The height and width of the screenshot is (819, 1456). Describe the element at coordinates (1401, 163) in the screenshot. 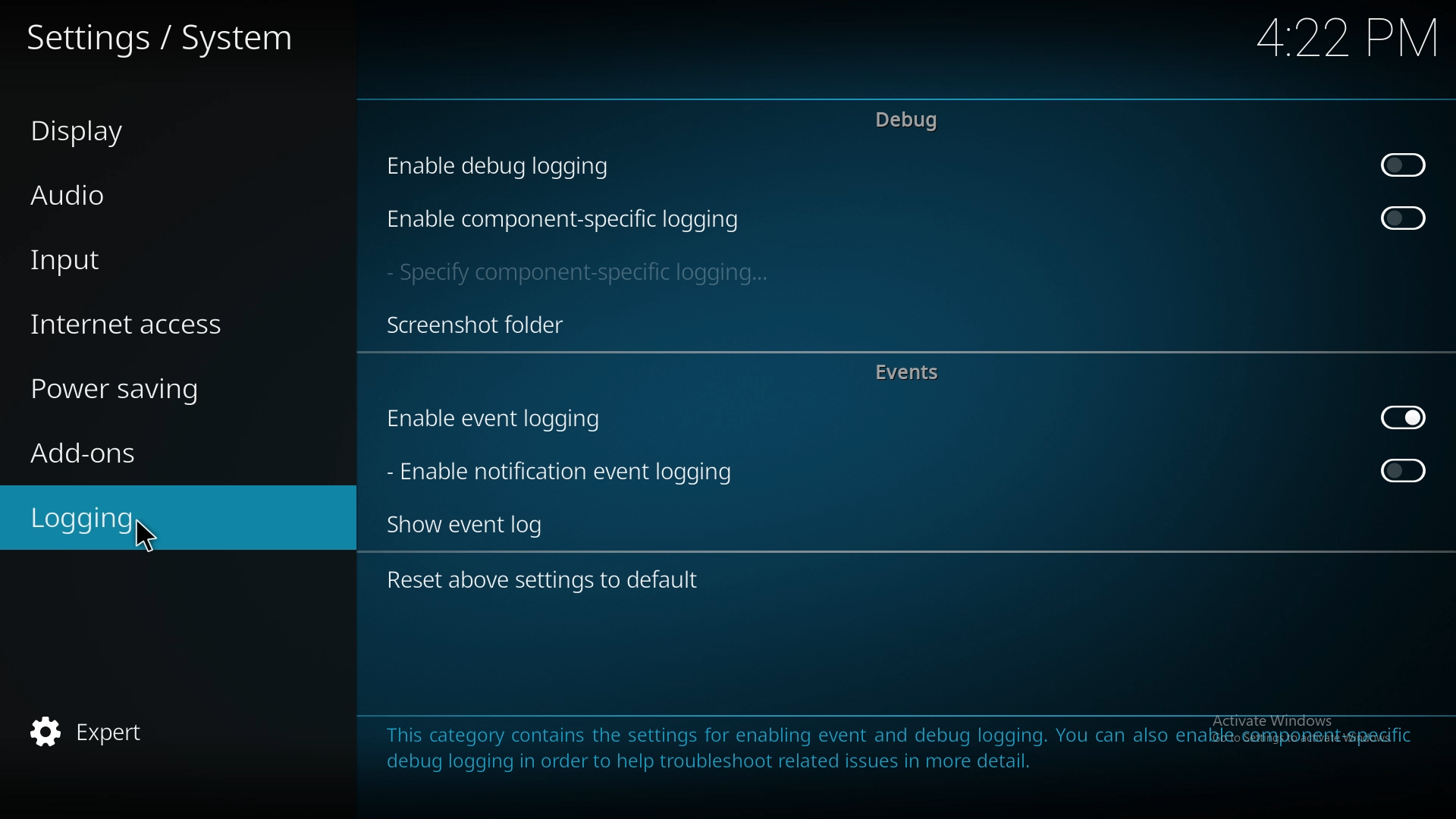

I see `off` at that location.